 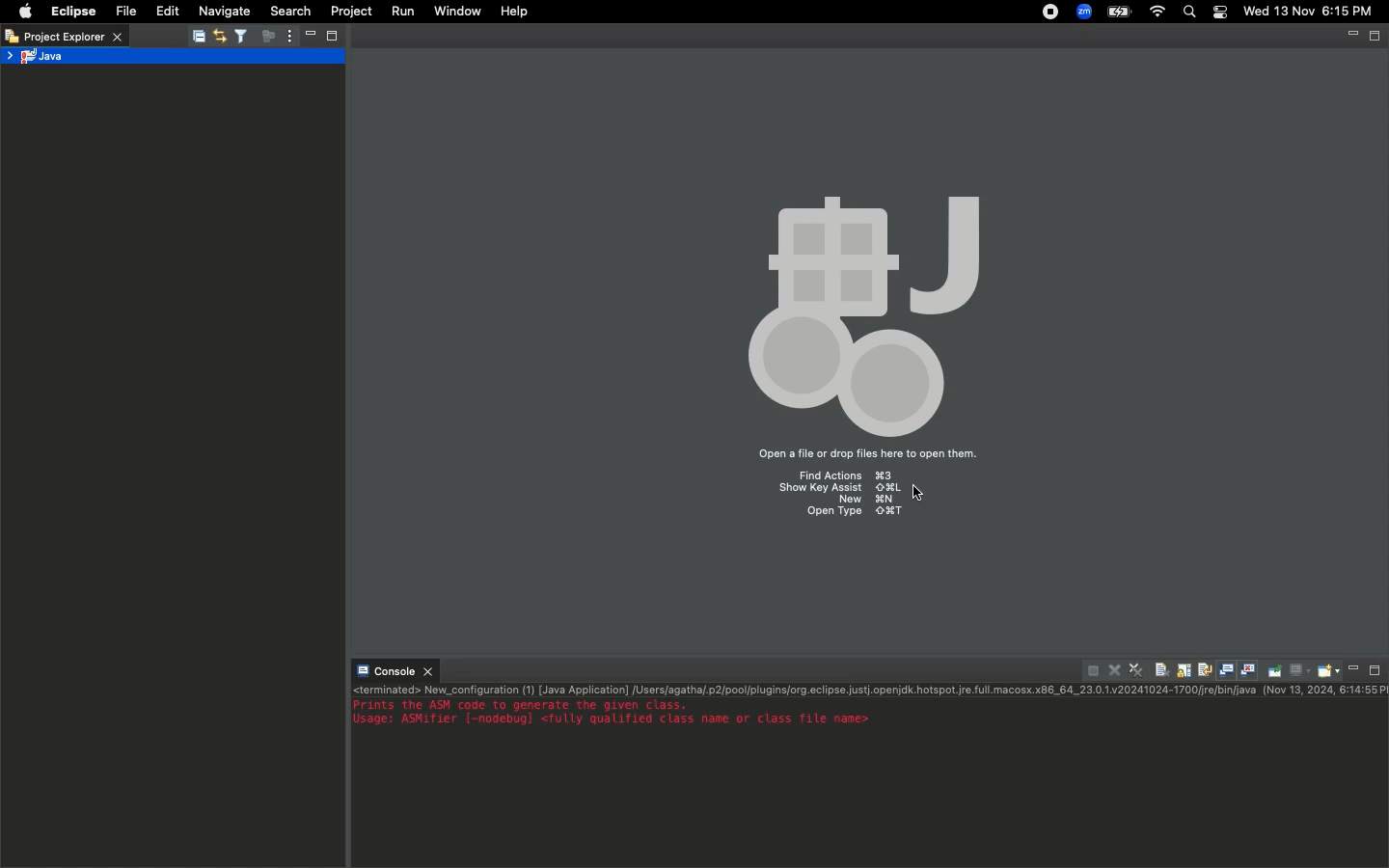 I want to click on Apple logo, so click(x=23, y=12).